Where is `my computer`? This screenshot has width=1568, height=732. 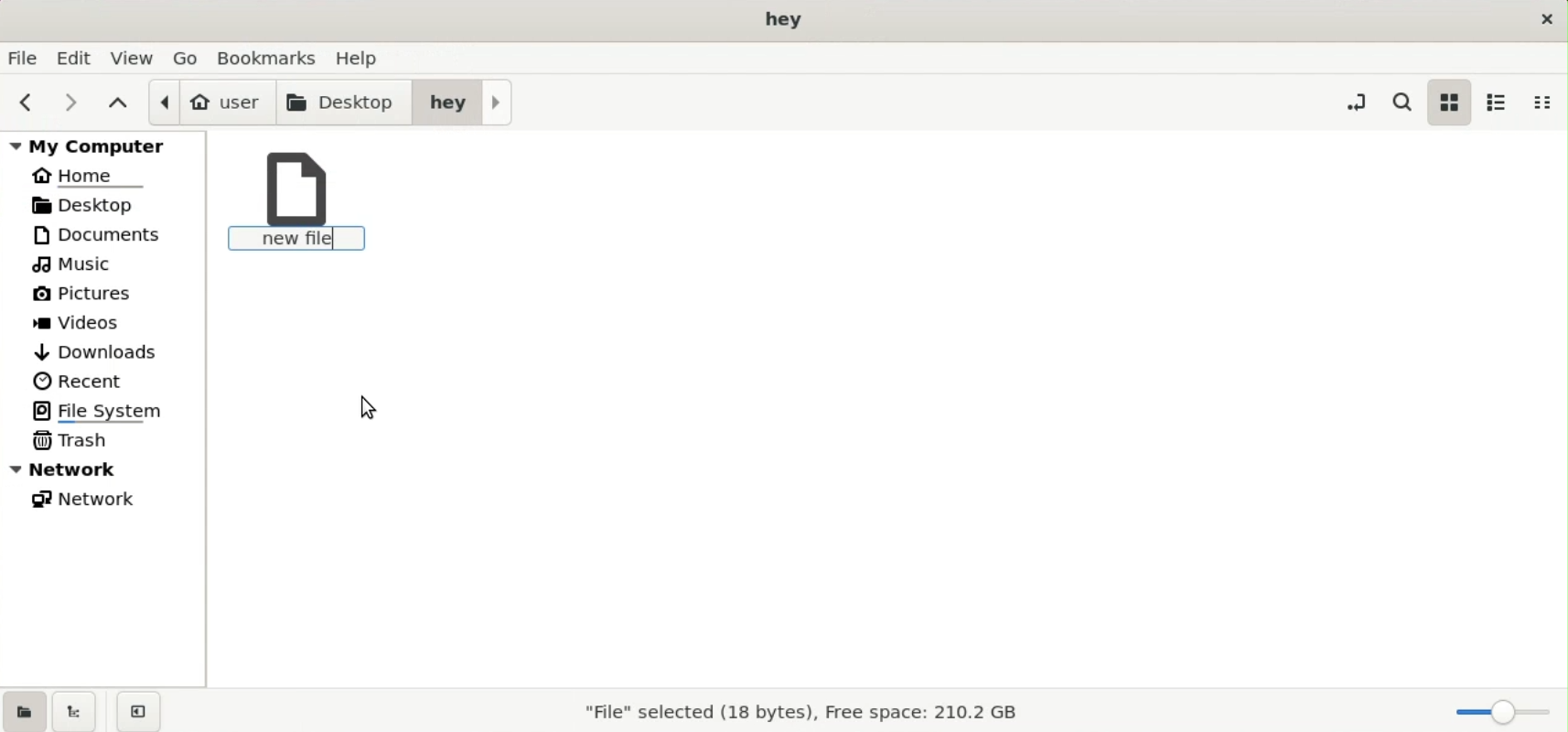
my computer is located at coordinates (107, 145).